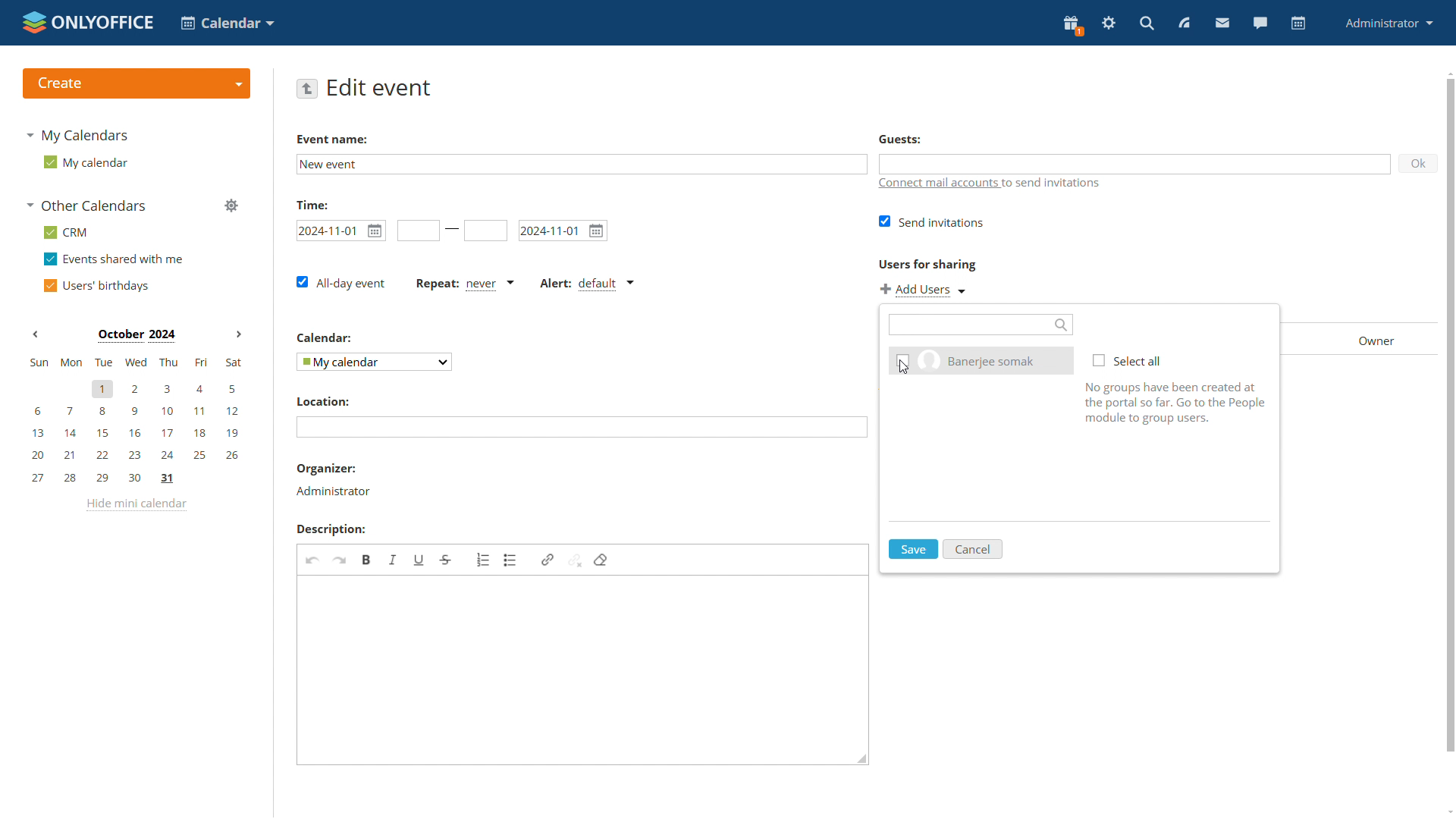 This screenshot has height=819, width=1456. What do you see at coordinates (1262, 24) in the screenshot?
I see `talk` at bounding box center [1262, 24].